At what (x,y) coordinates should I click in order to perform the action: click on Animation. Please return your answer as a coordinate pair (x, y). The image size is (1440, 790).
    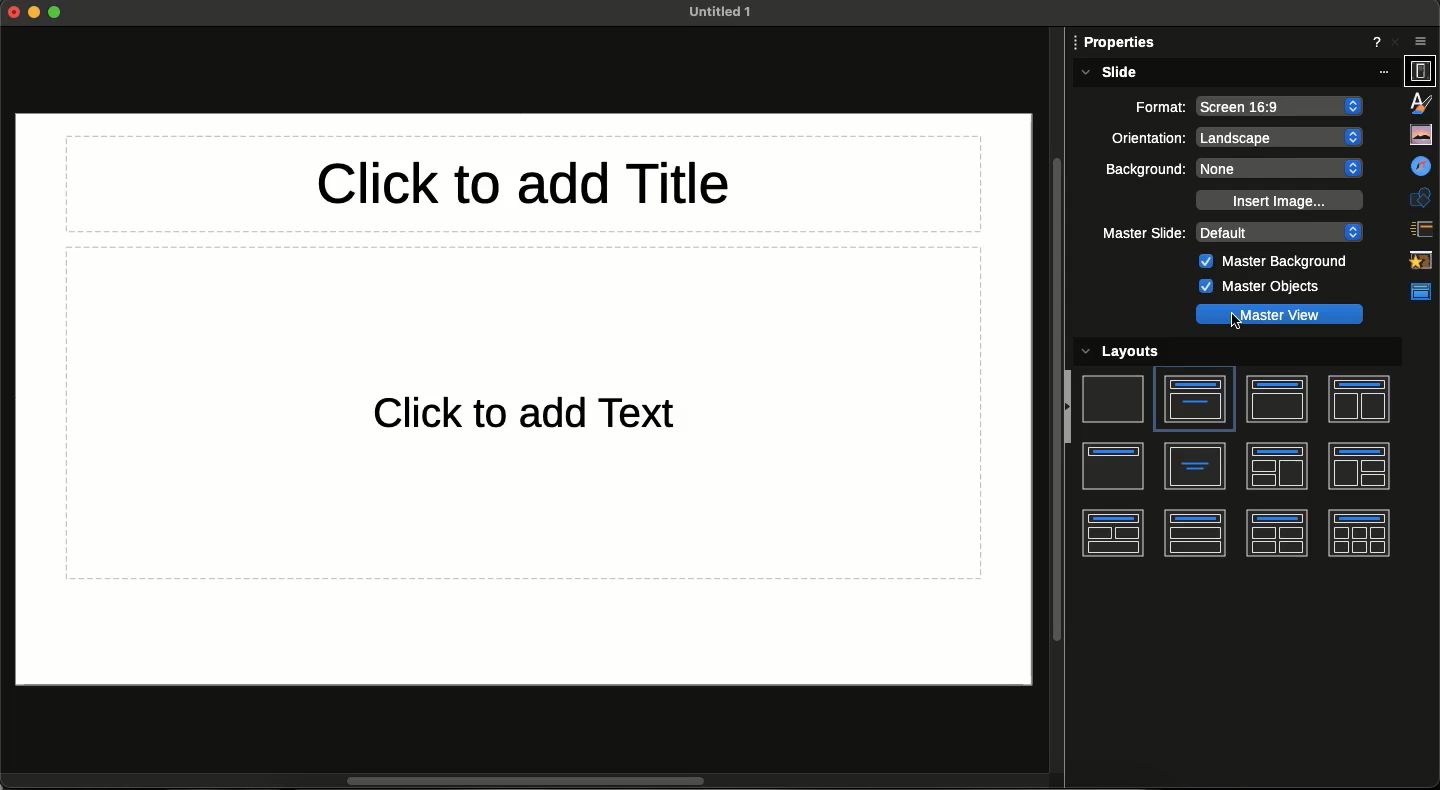
    Looking at the image, I should click on (1421, 261).